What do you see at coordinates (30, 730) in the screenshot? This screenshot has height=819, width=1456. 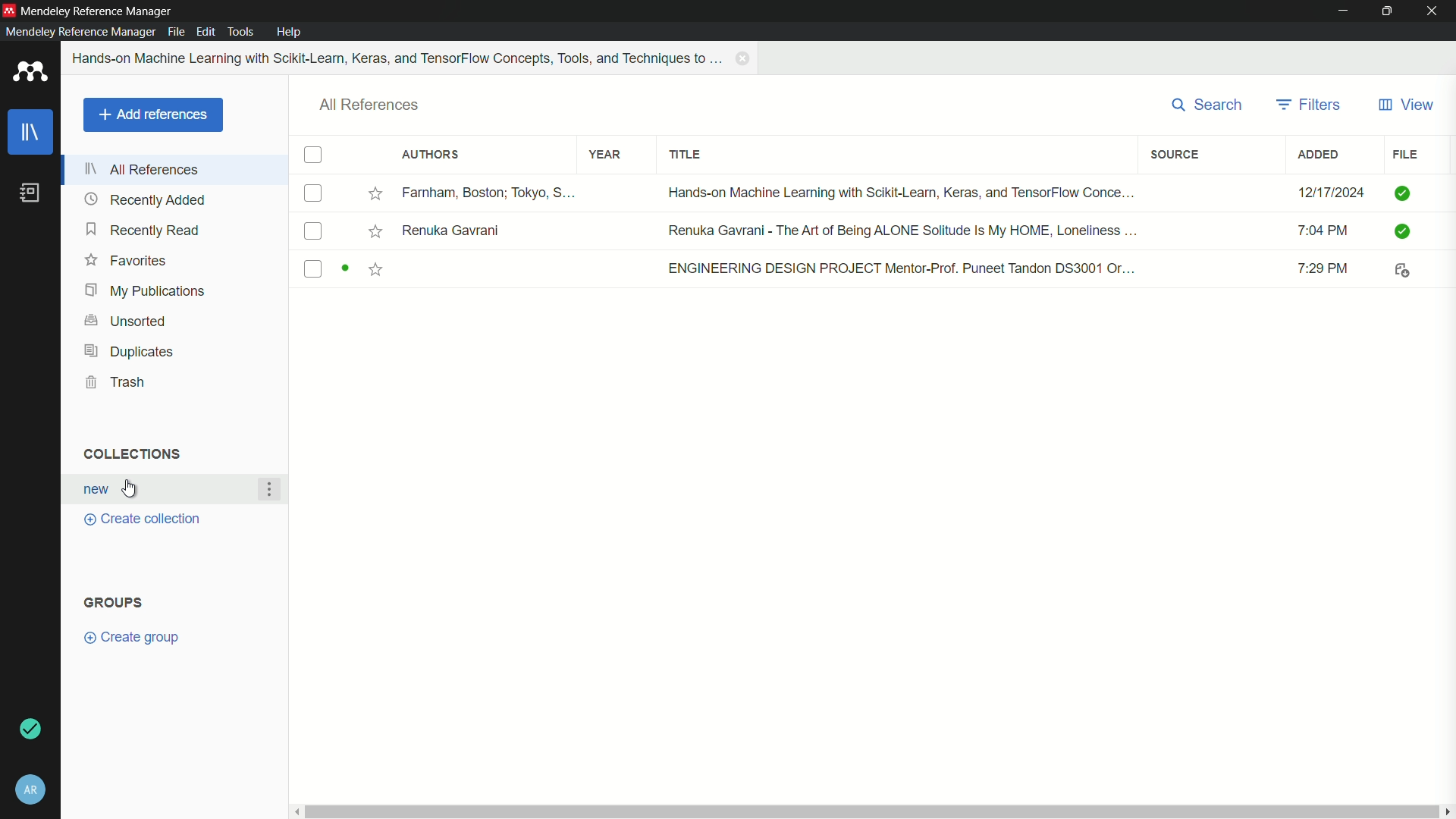 I see `sync` at bounding box center [30, 730].